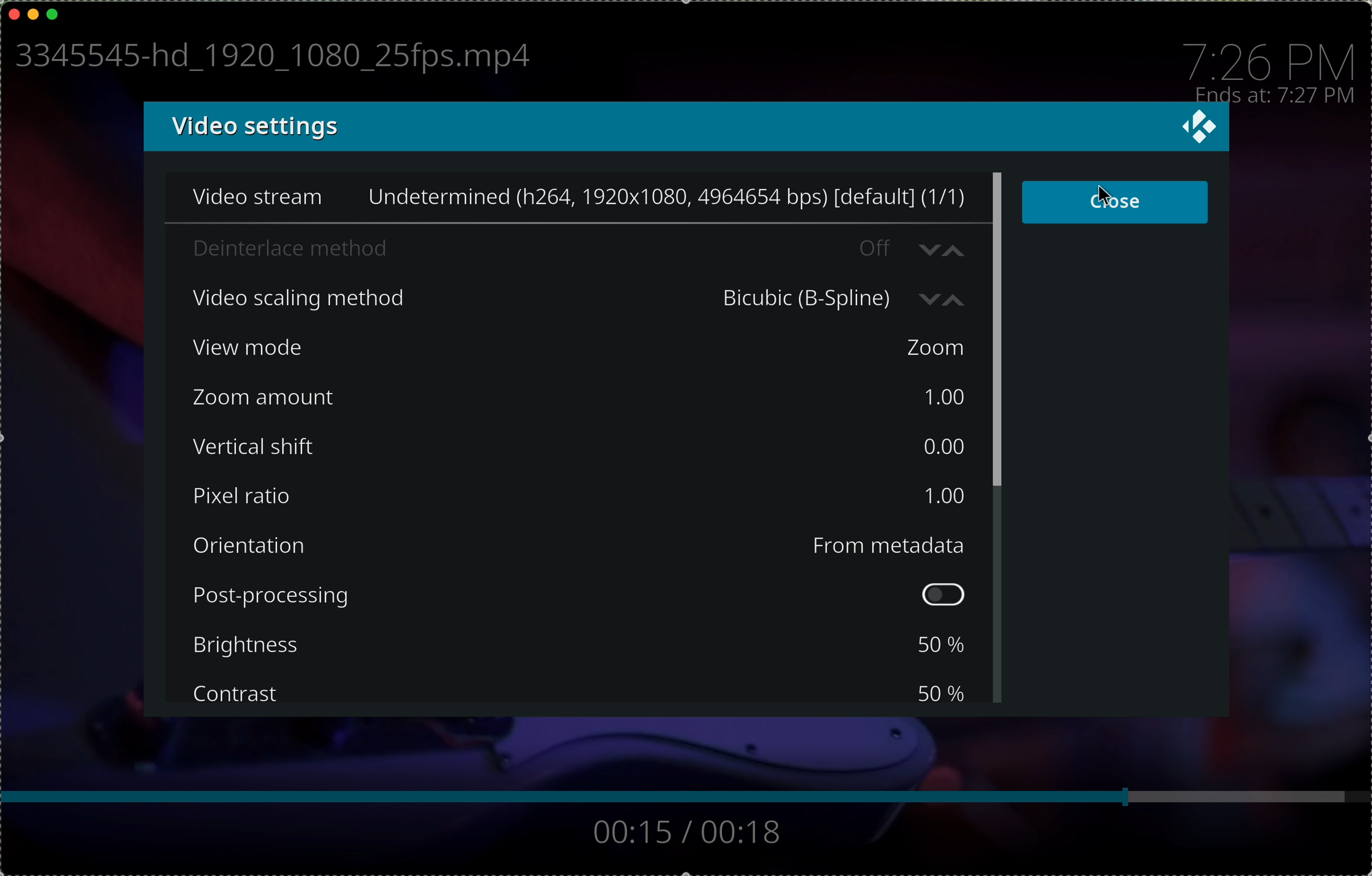  I want to click on Vertical shift, so click(276, 449).